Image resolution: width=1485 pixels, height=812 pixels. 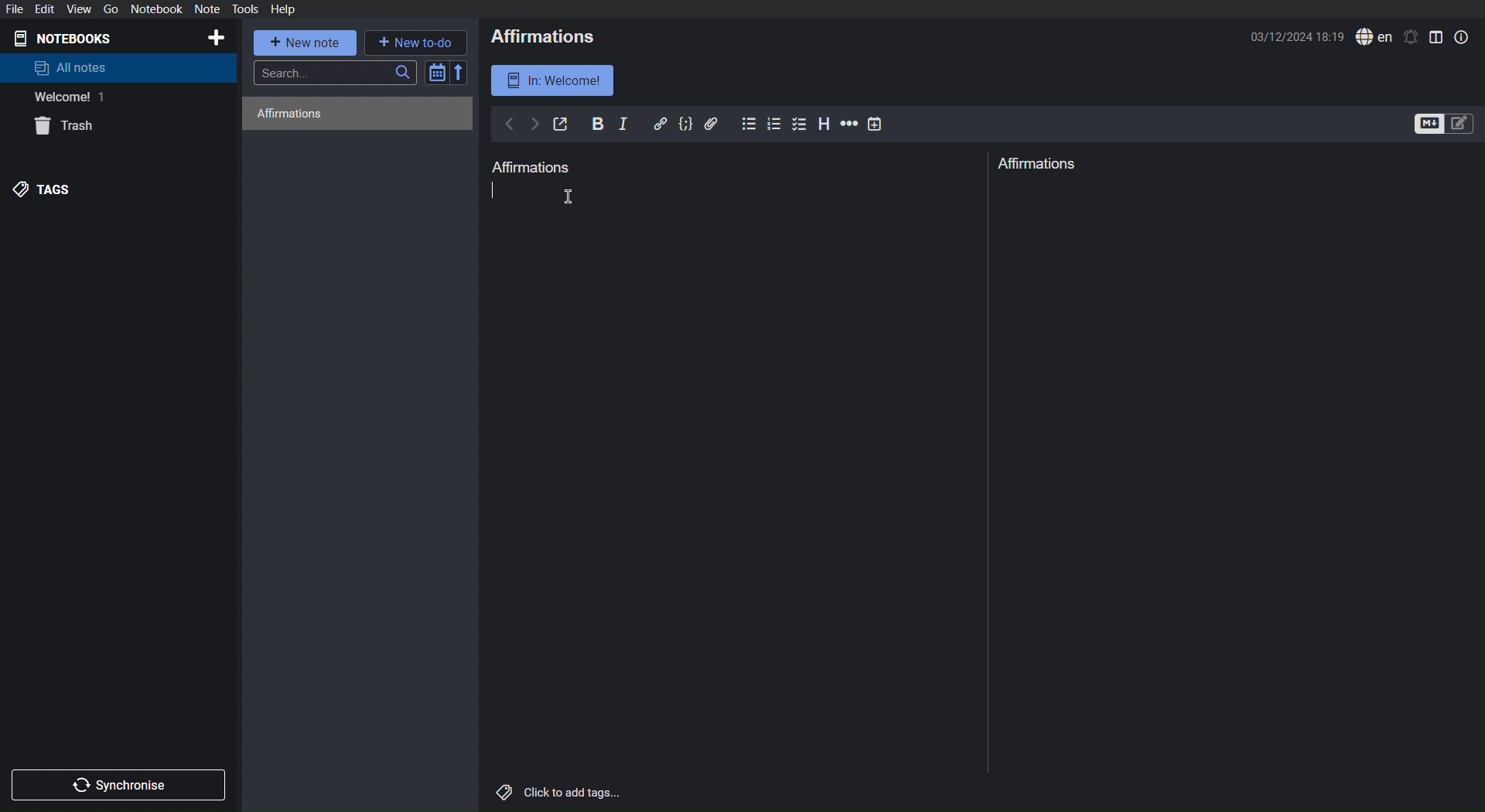 What do you see at coordinates (415, 41) in the screenshot?
I see `New to-do` at bounding box center [415, 41].